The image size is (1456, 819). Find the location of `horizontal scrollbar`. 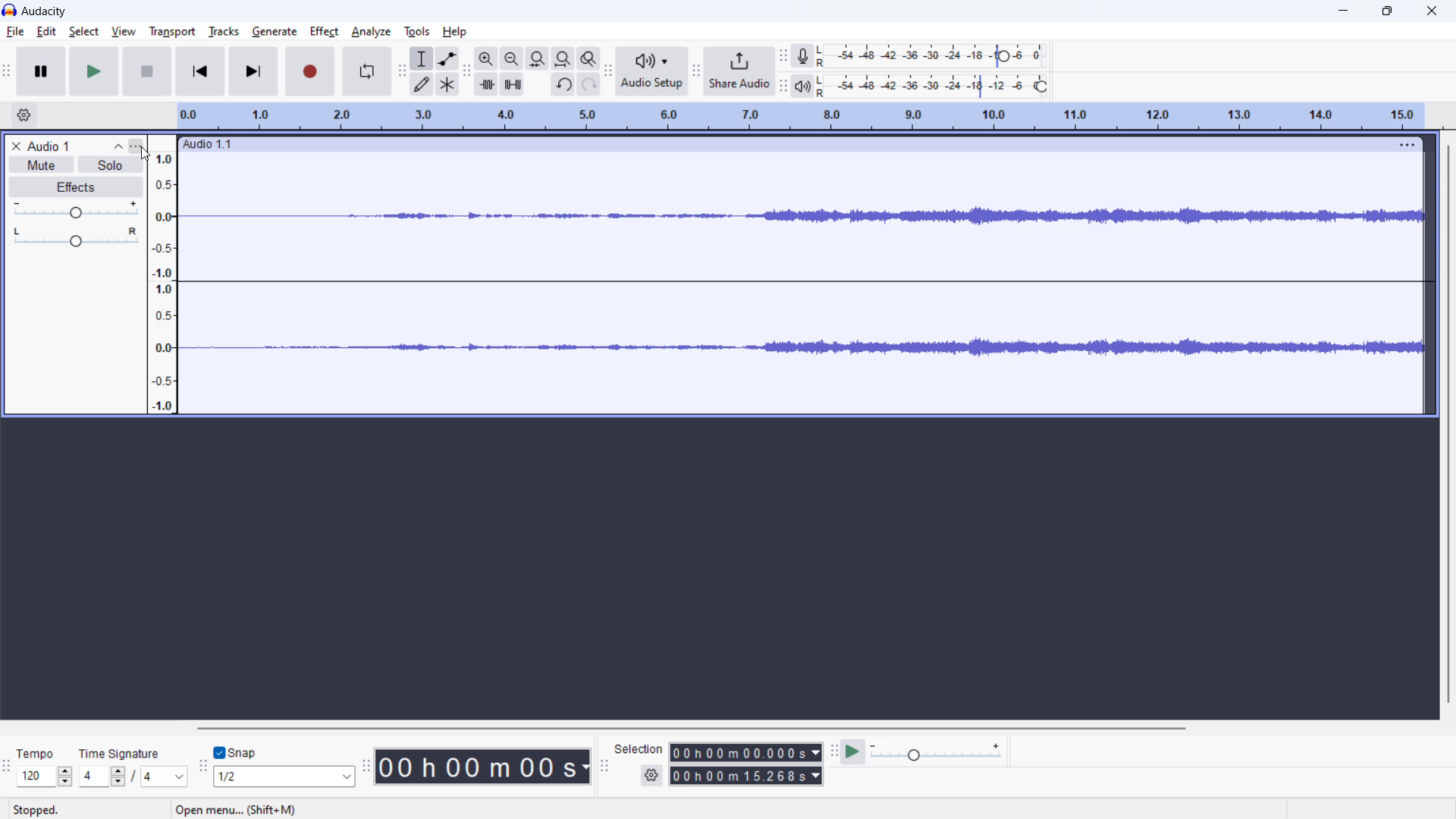

horizontal scrollbar is located at coordinates (695, 728).